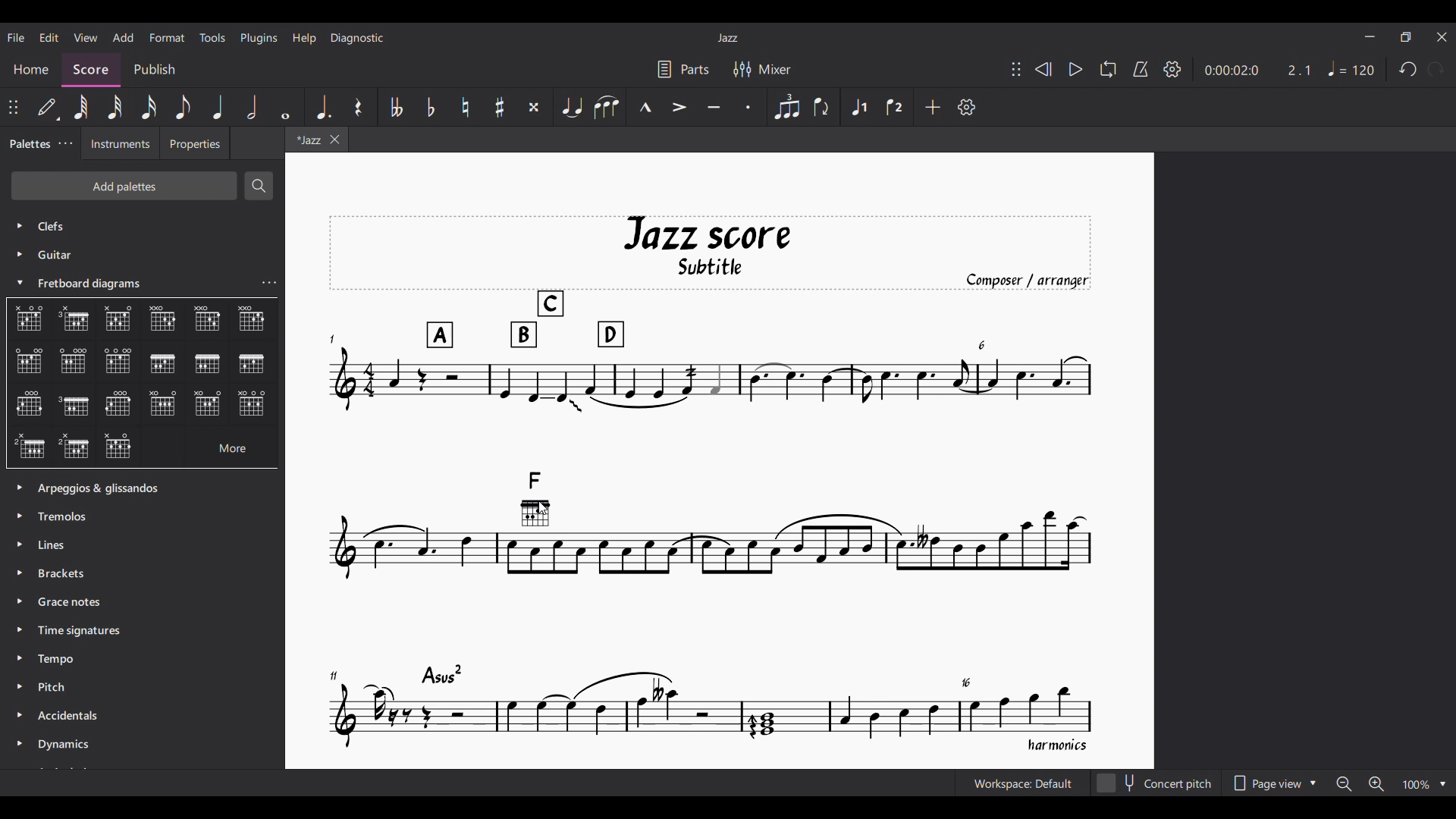 The height and width of the screenshot is (819, 1456). Describe the element at coordinates (1023, 783) in the screenshot. I see `Current workspace setting` at that location.